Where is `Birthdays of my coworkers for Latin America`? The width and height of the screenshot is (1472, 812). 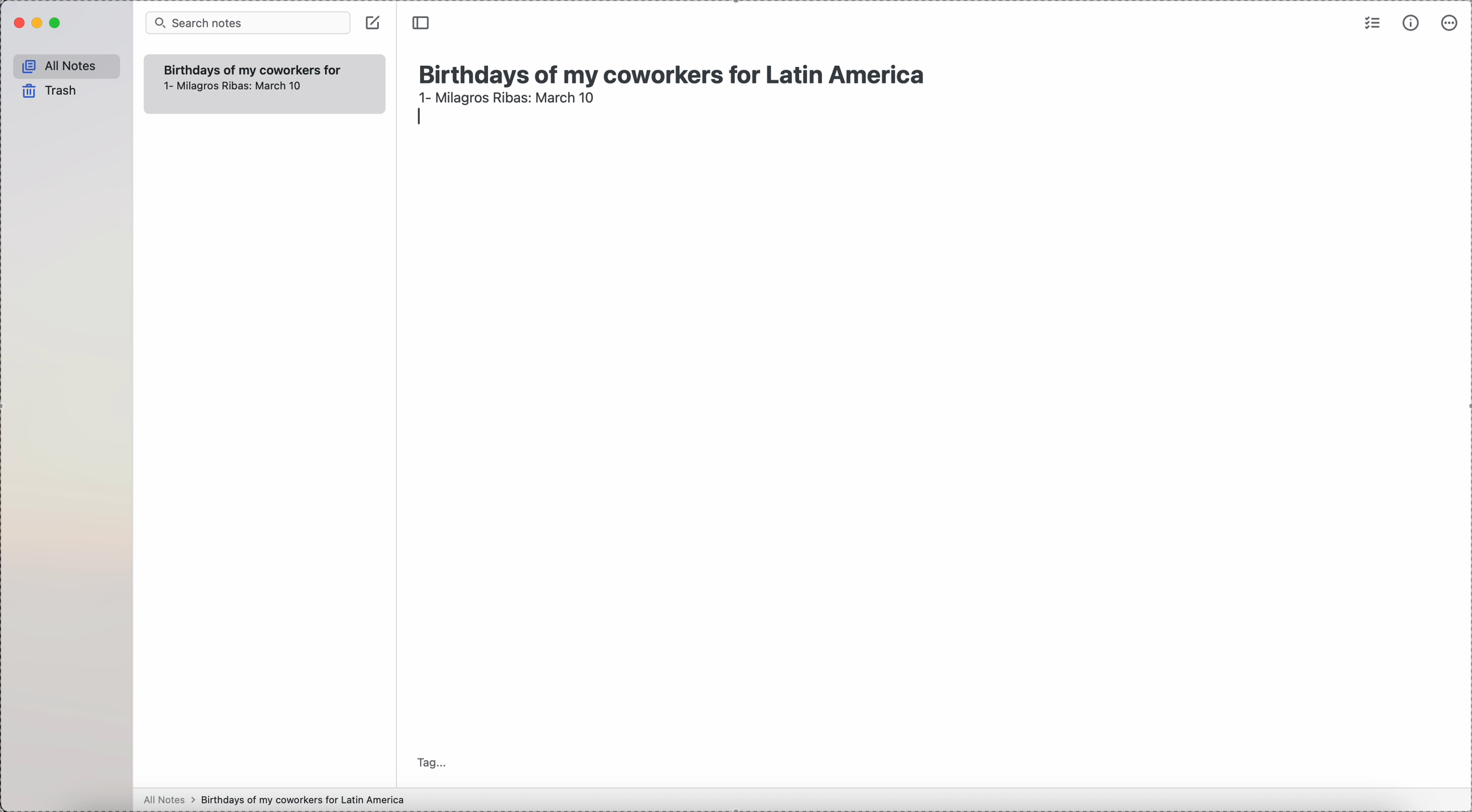 Birthdays of my coworkers for Latin America is located at coordinates (251, 69).